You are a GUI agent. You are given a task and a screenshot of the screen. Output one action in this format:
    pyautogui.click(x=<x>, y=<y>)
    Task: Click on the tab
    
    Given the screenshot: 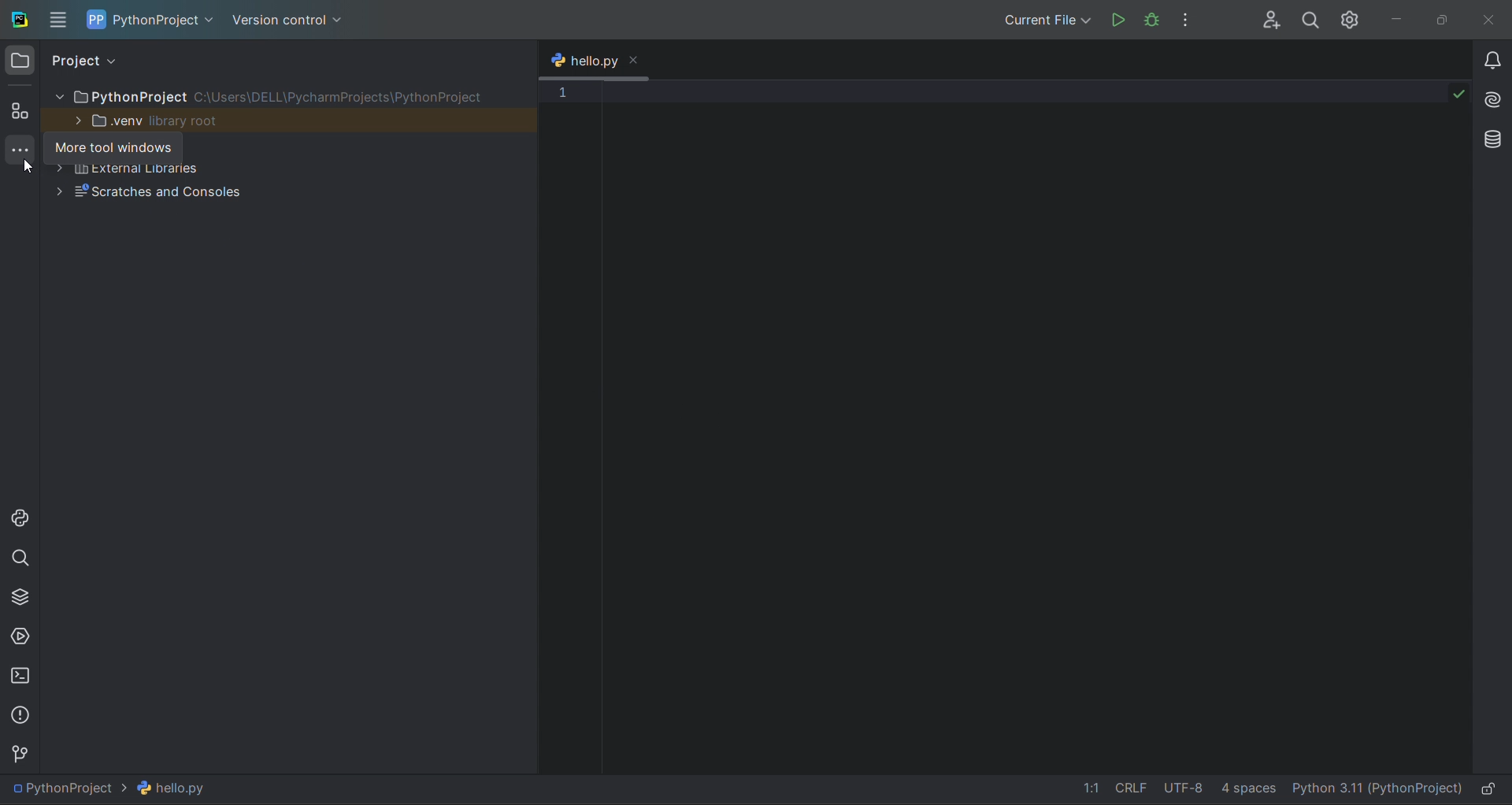 What is the action you would take?
    pyautogui.click(x=581, y=58)
    